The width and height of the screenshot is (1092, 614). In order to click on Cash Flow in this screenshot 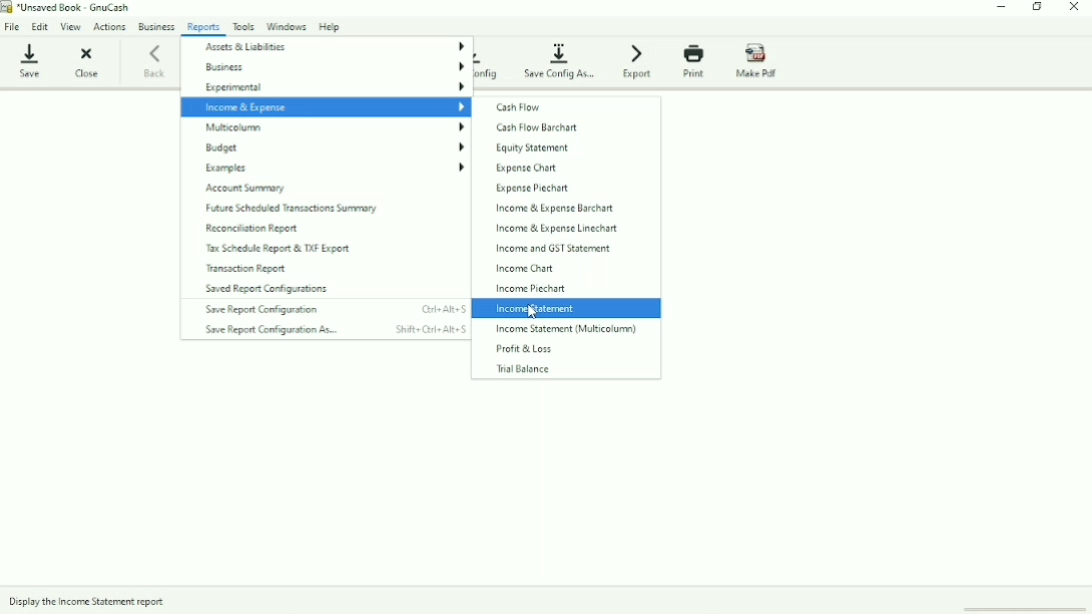, I will do `click(525, 107)`.